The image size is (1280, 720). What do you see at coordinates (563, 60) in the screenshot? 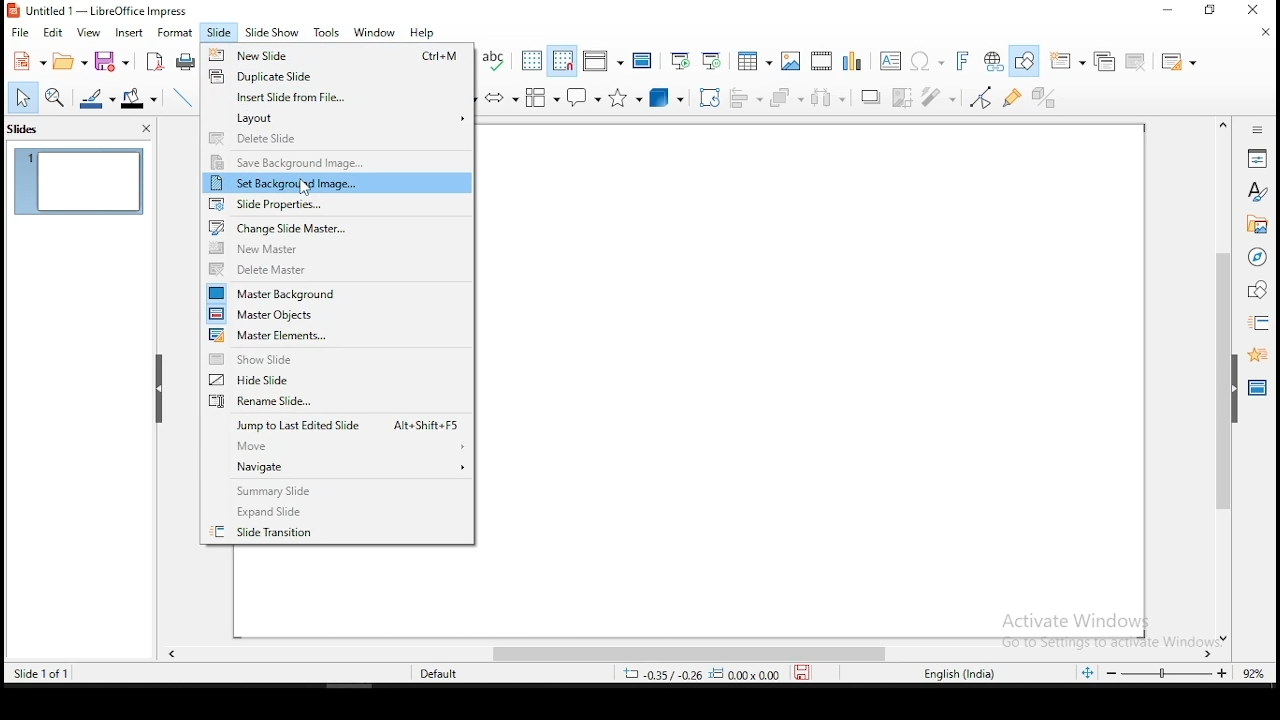
I see `snap to grids` at bounding box center [563, 60].